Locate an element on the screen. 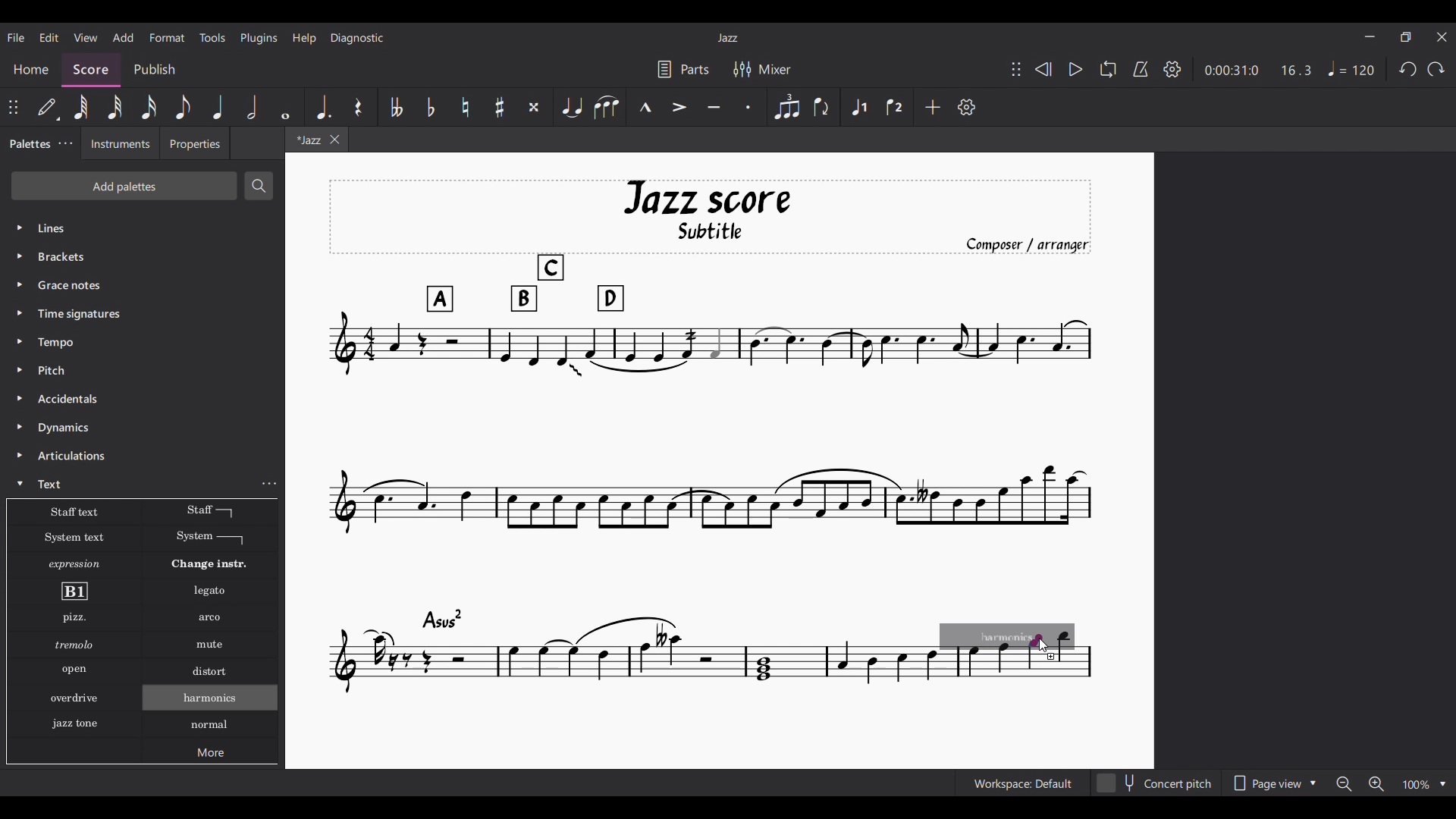  Preview of current selection is located at coordinates (1015, 653).